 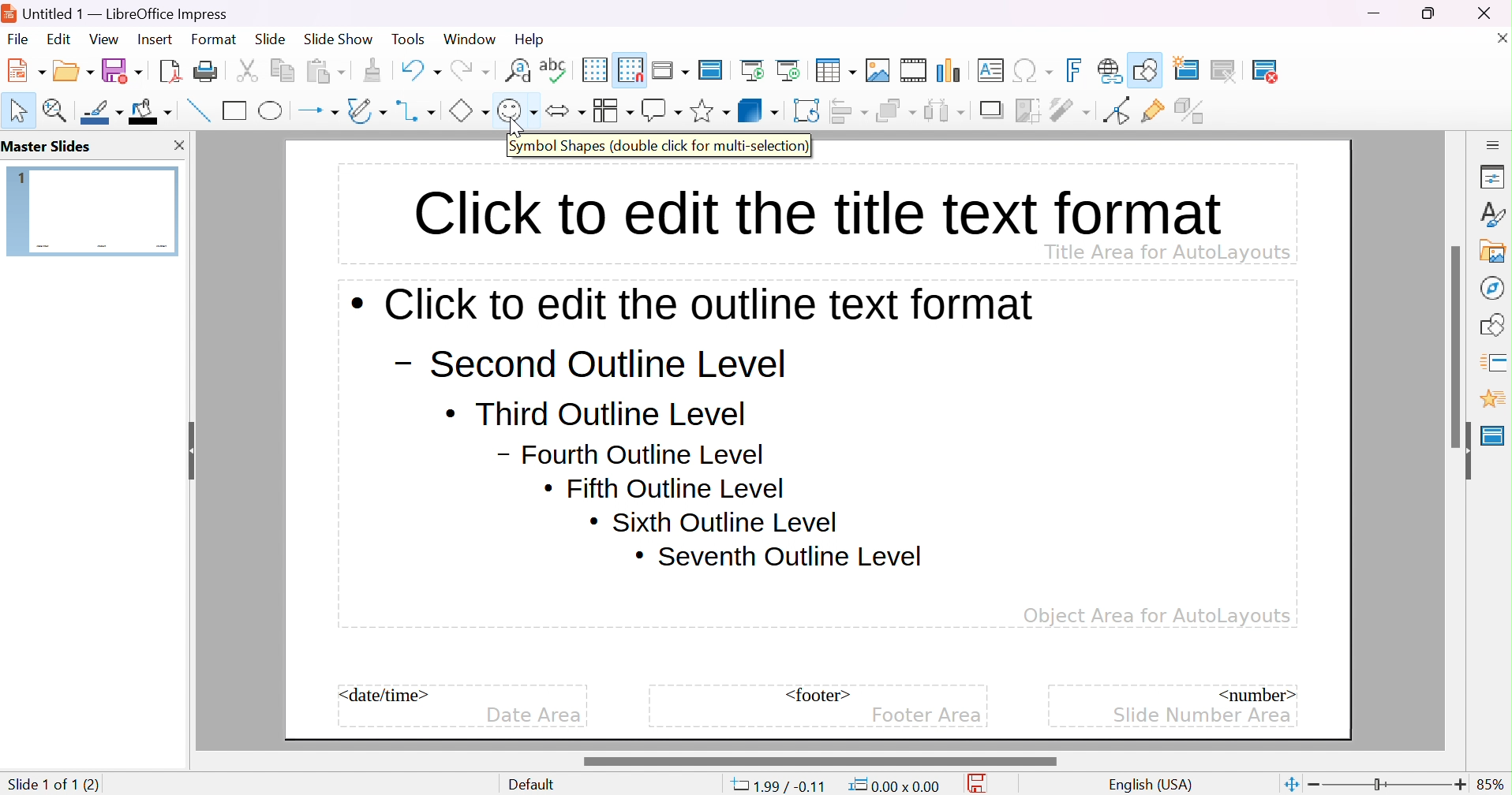 I want to click on table, so click(x=836, y=69).